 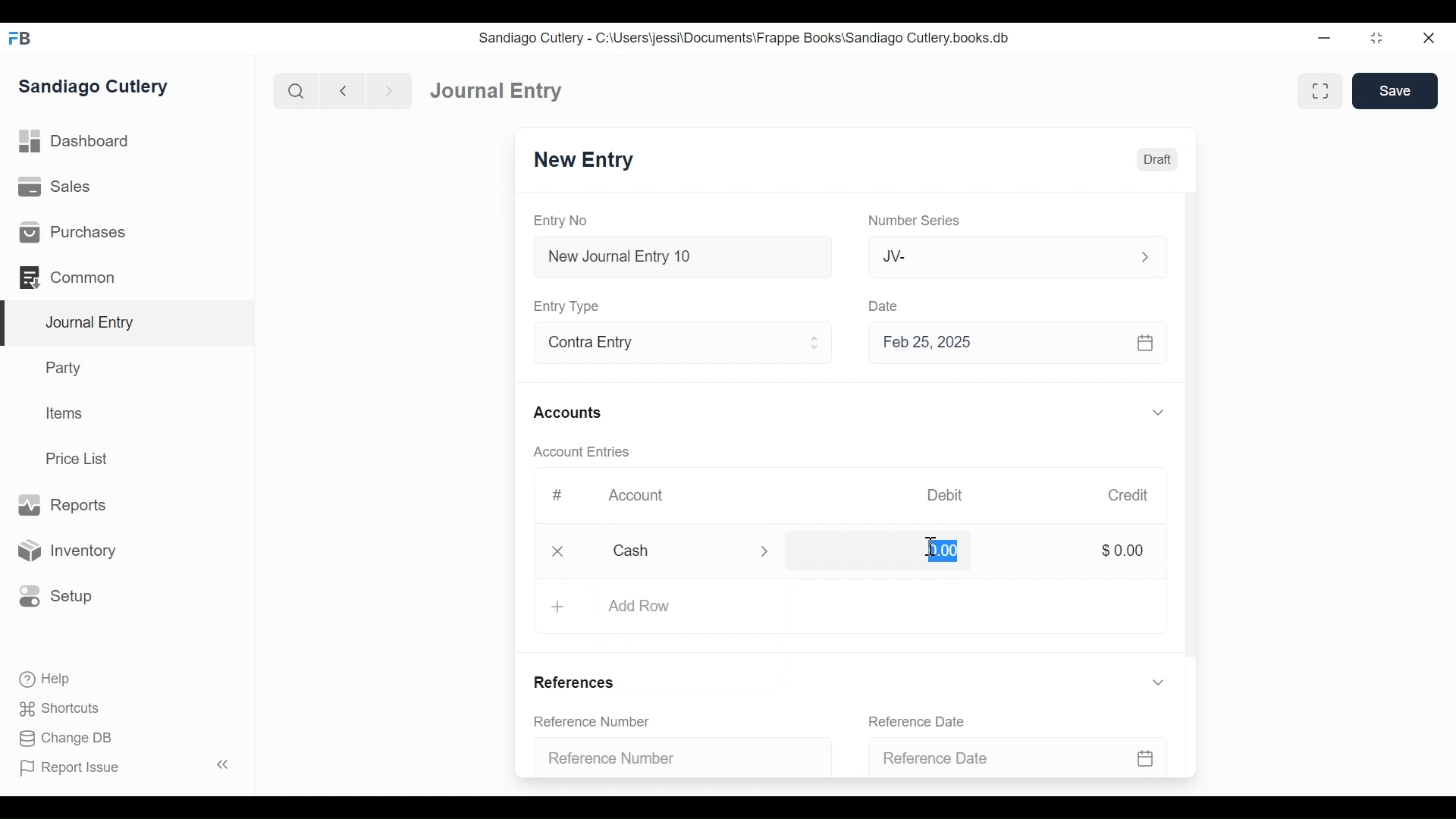 I want to click on Accounts, so click(x=570, y=413).